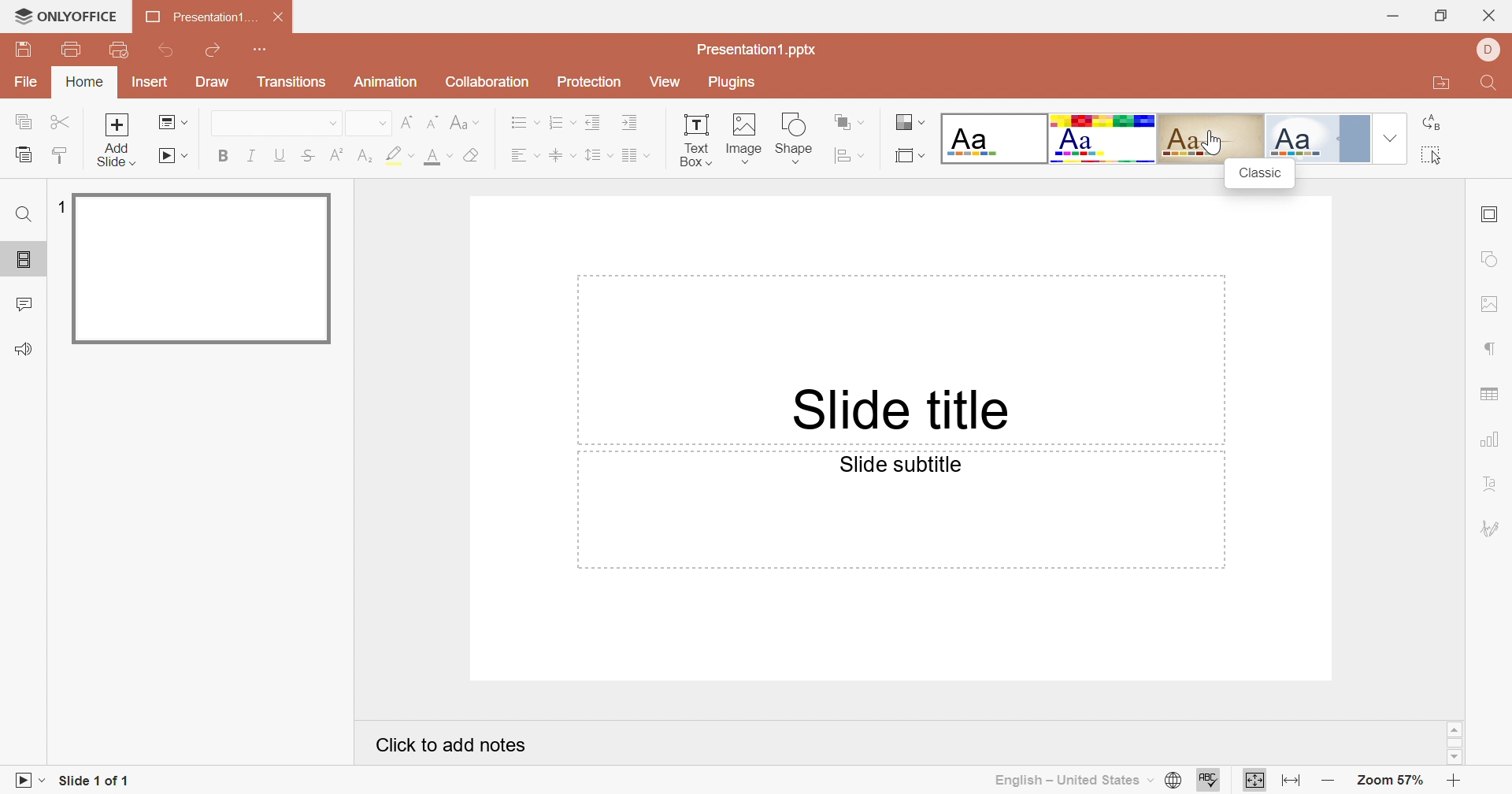 The image size is (1512, 794). What do you see at coordinates (1494, 213) in the screenshot?
I see `Slide settings` at bounding box center [1494, 213].